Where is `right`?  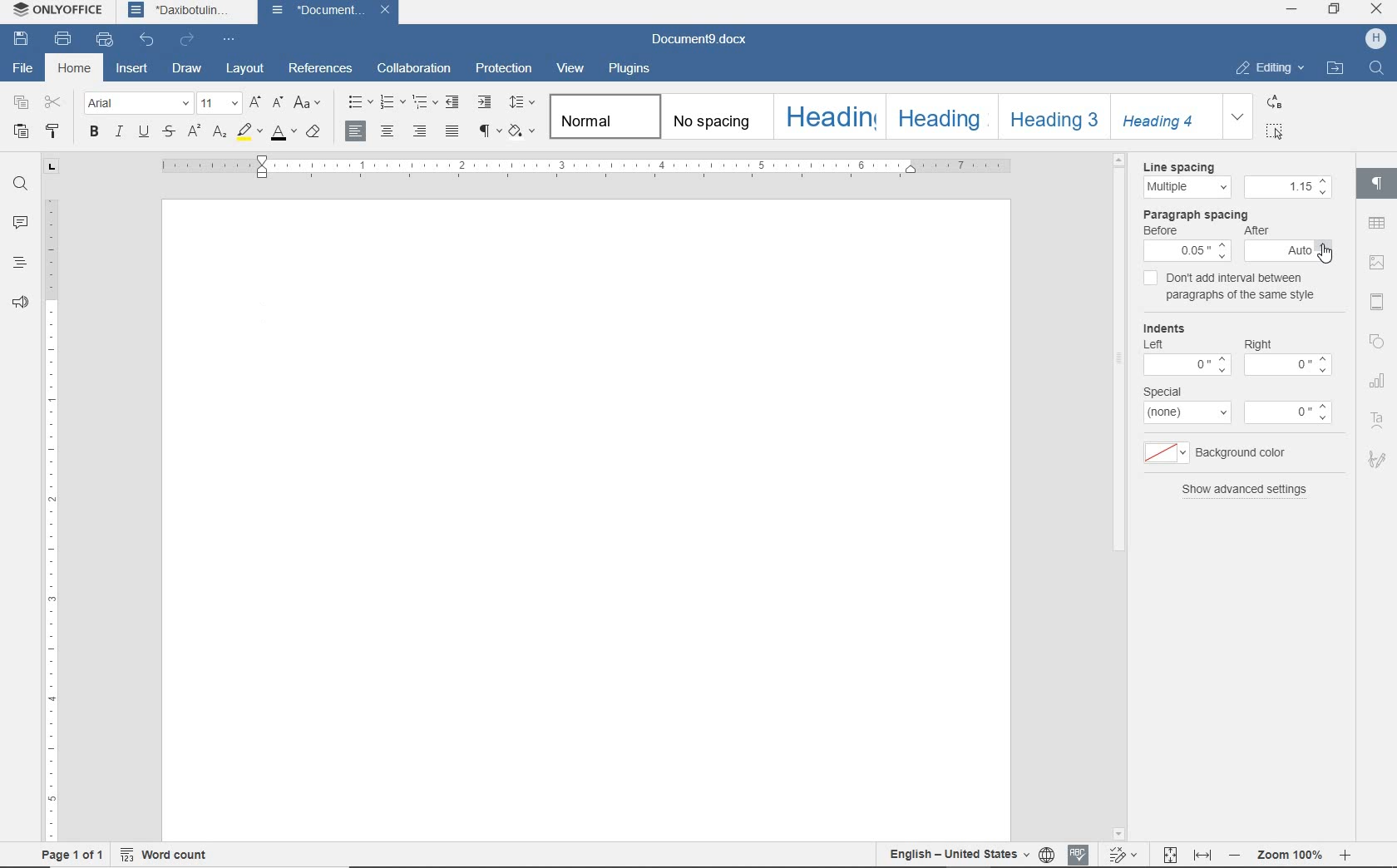
right is located at coordinates (1258, 344).